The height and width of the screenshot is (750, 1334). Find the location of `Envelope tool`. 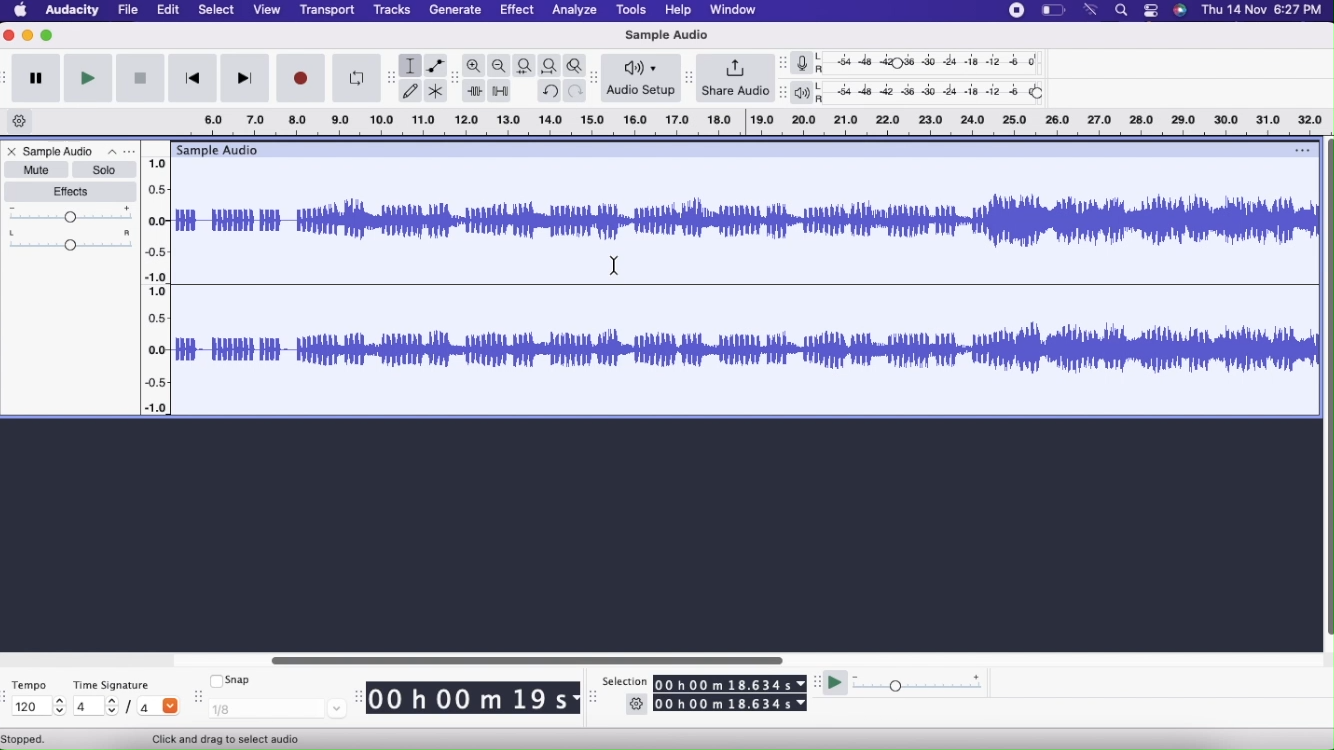

Envelope tool is located at coordinates (437, 65).